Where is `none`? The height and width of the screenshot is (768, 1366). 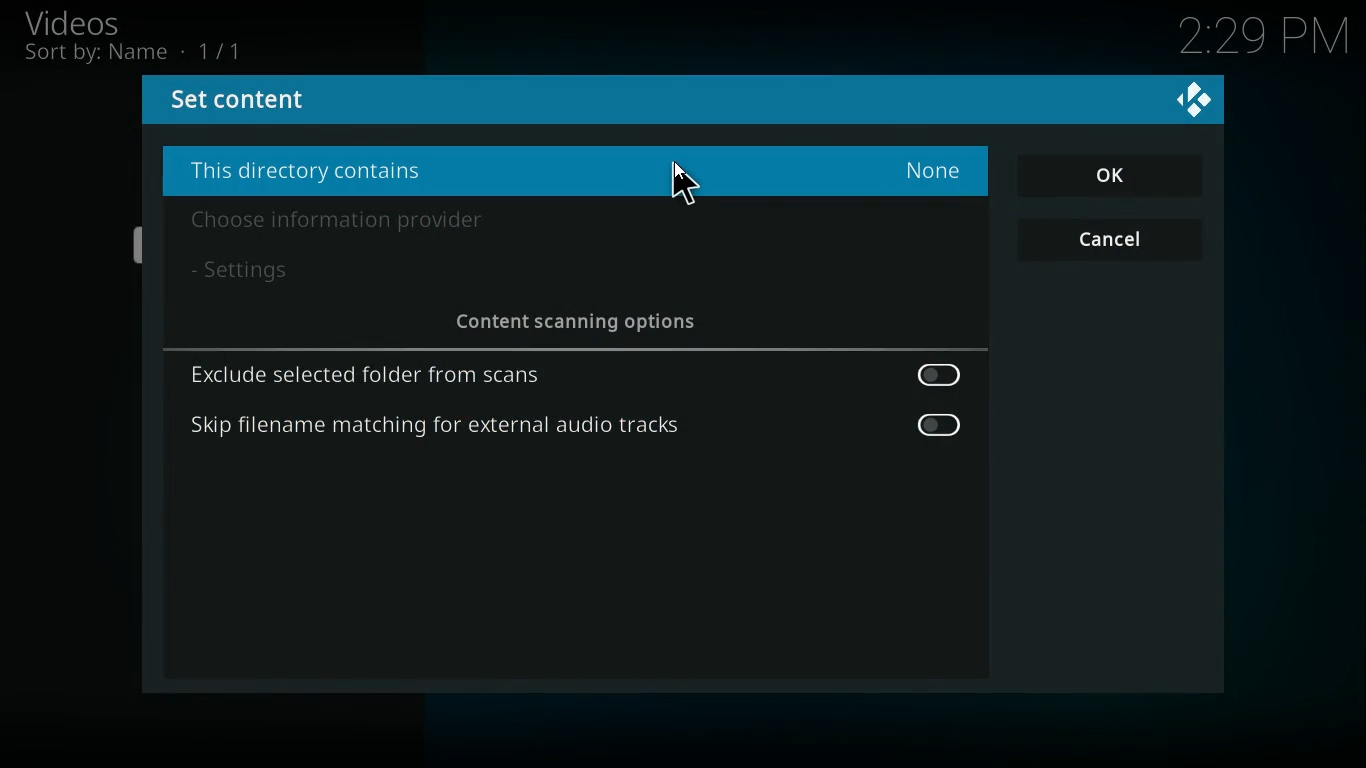
none is located at coordinates (933, 171).